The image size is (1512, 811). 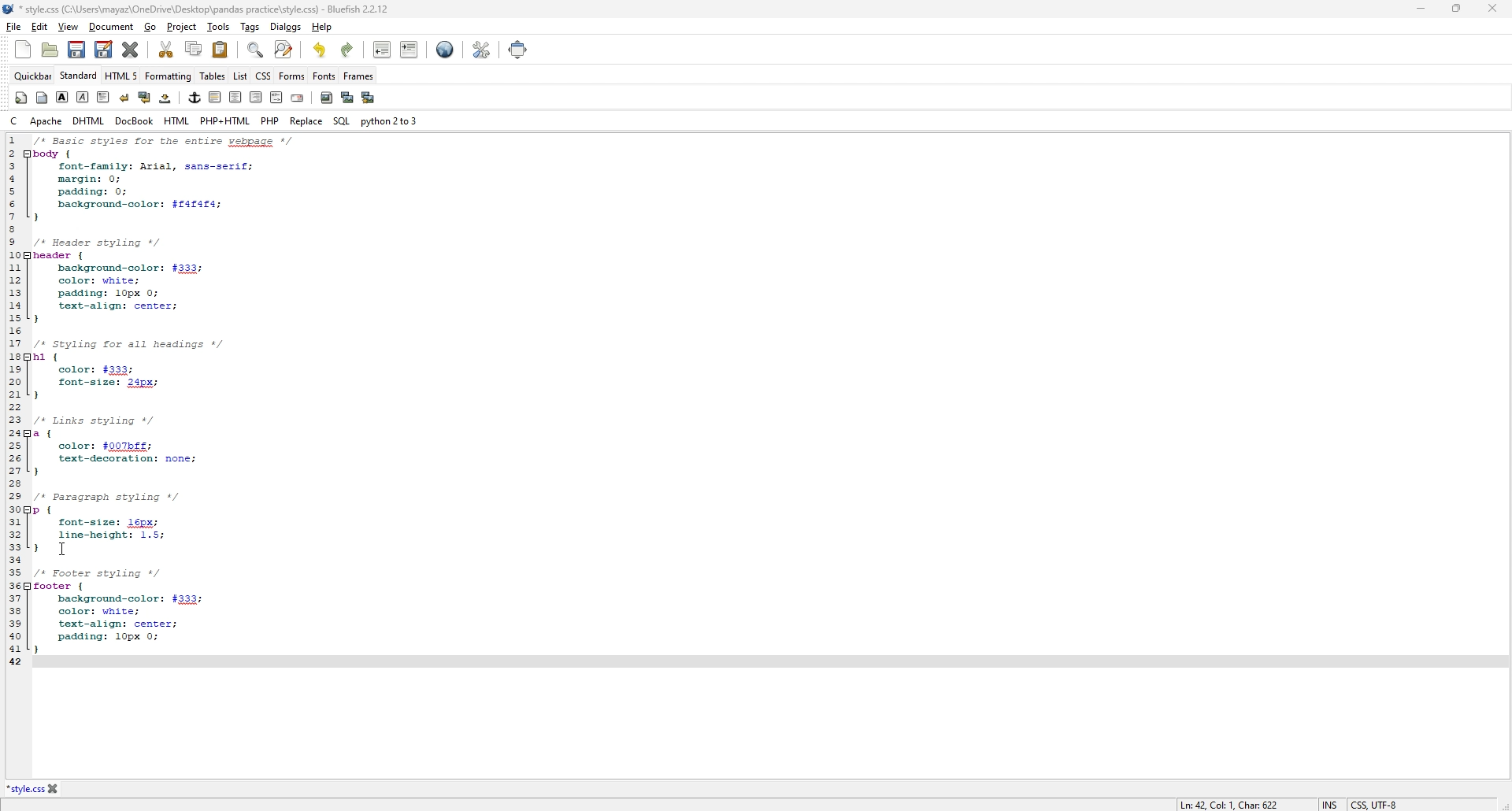 What do you see at coordinates (208, 8) in the screenshot?
I see `*style.css (C:\Users\mayaz\OneDrive\Desktop\pandas practice\style.css) - Bluefish 2.2.12` at bounding box center [208, 8].